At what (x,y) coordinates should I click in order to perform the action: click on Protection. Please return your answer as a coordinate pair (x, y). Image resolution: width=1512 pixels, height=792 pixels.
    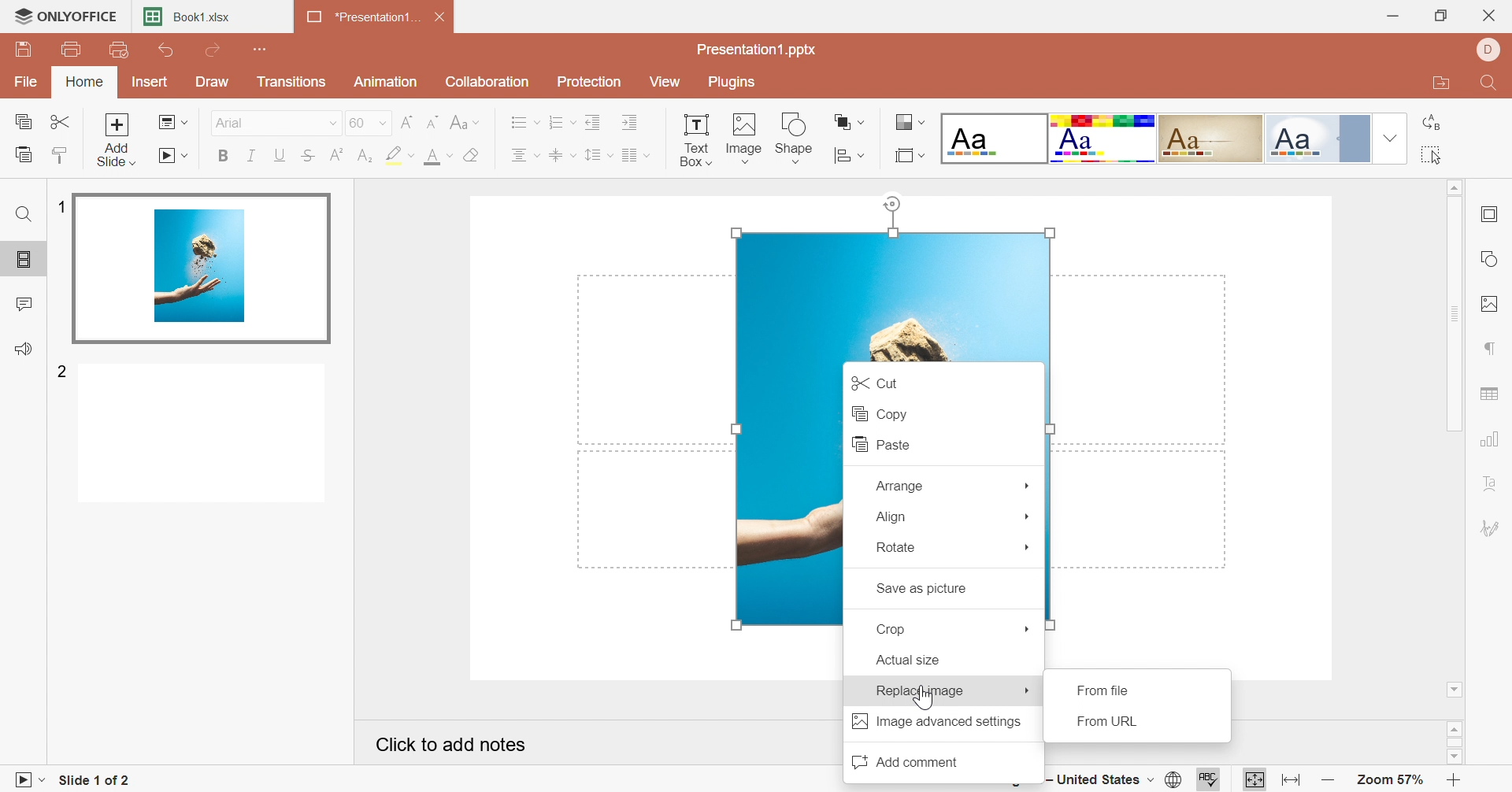
    Looking at the image, I should click on (591, 82).